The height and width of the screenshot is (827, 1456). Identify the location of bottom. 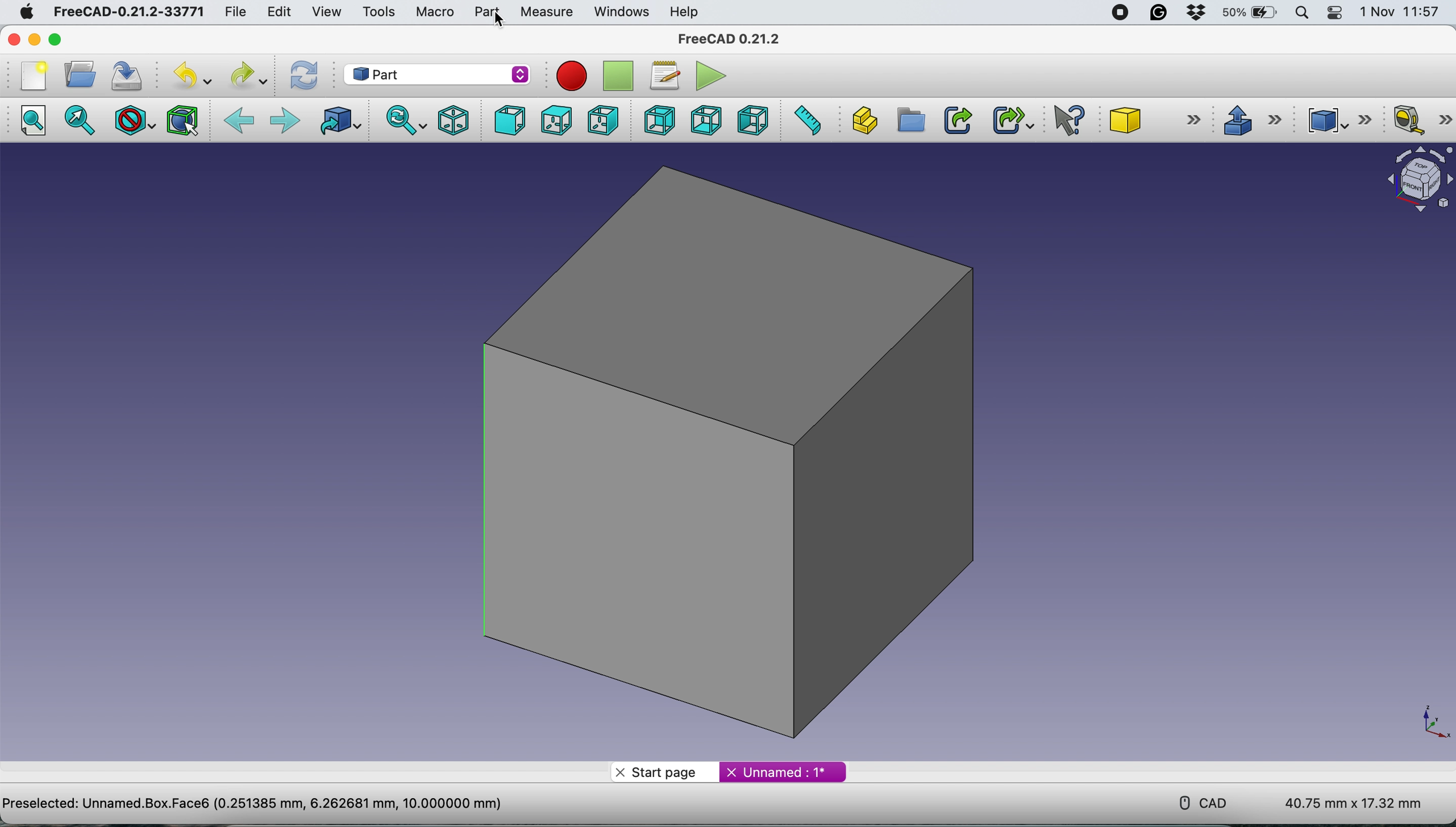
(706, 119).